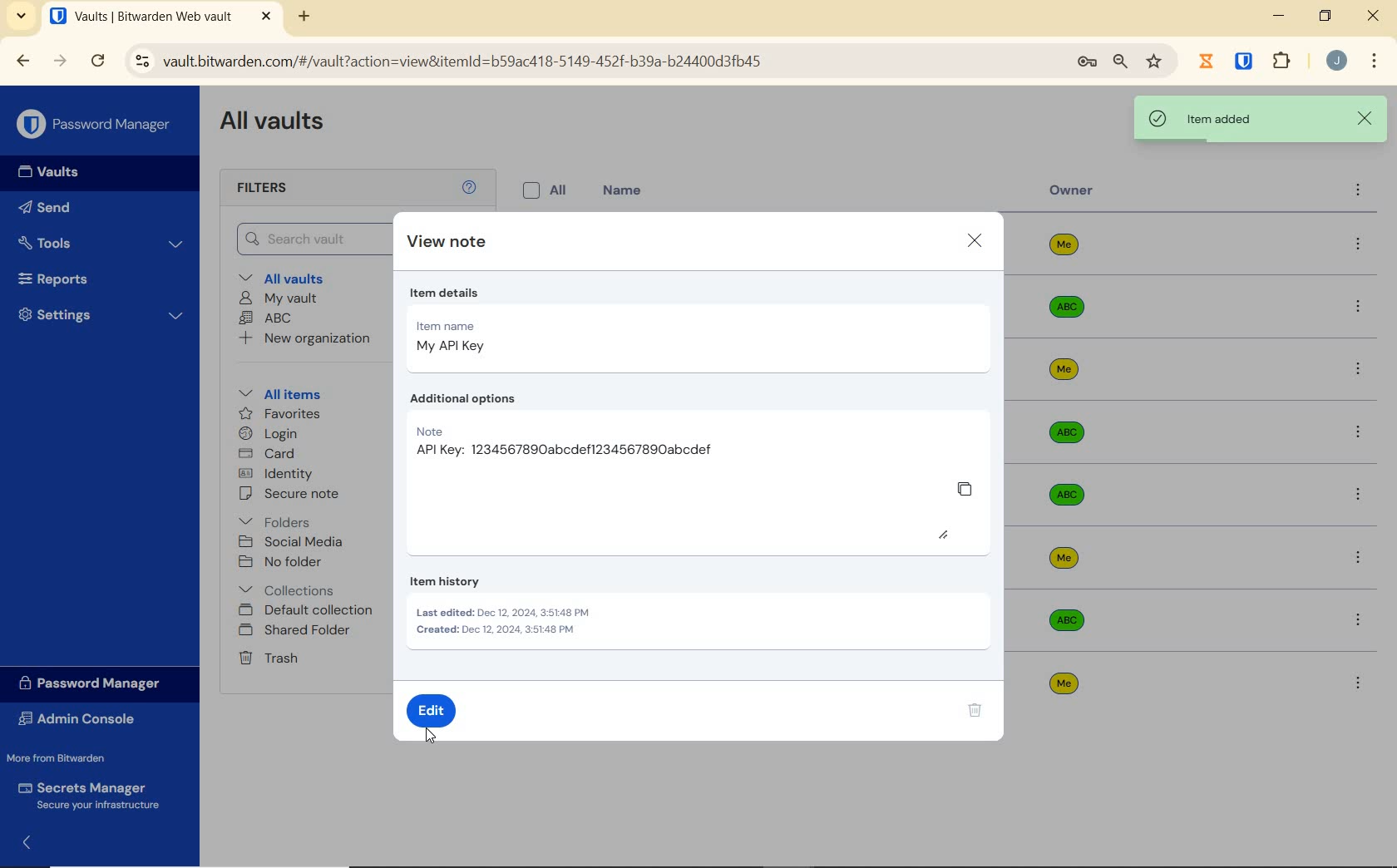 The height and width of the screenshot is (868, 1397). Describe the element at coordinates (1284, 60) in the screenshot. I see `extensions` at that location.